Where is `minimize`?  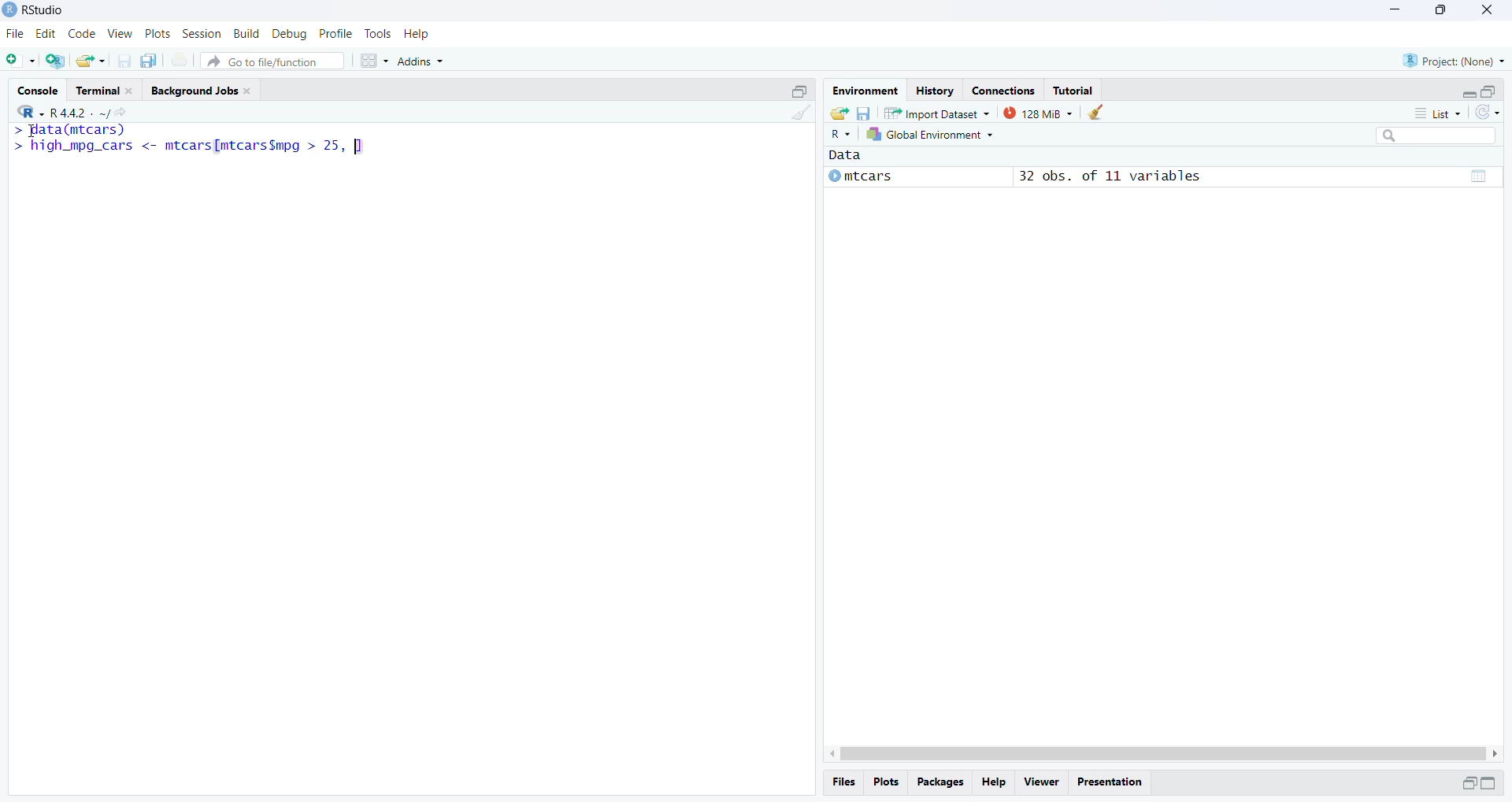
minimize is located at coordinates (1468, 785).